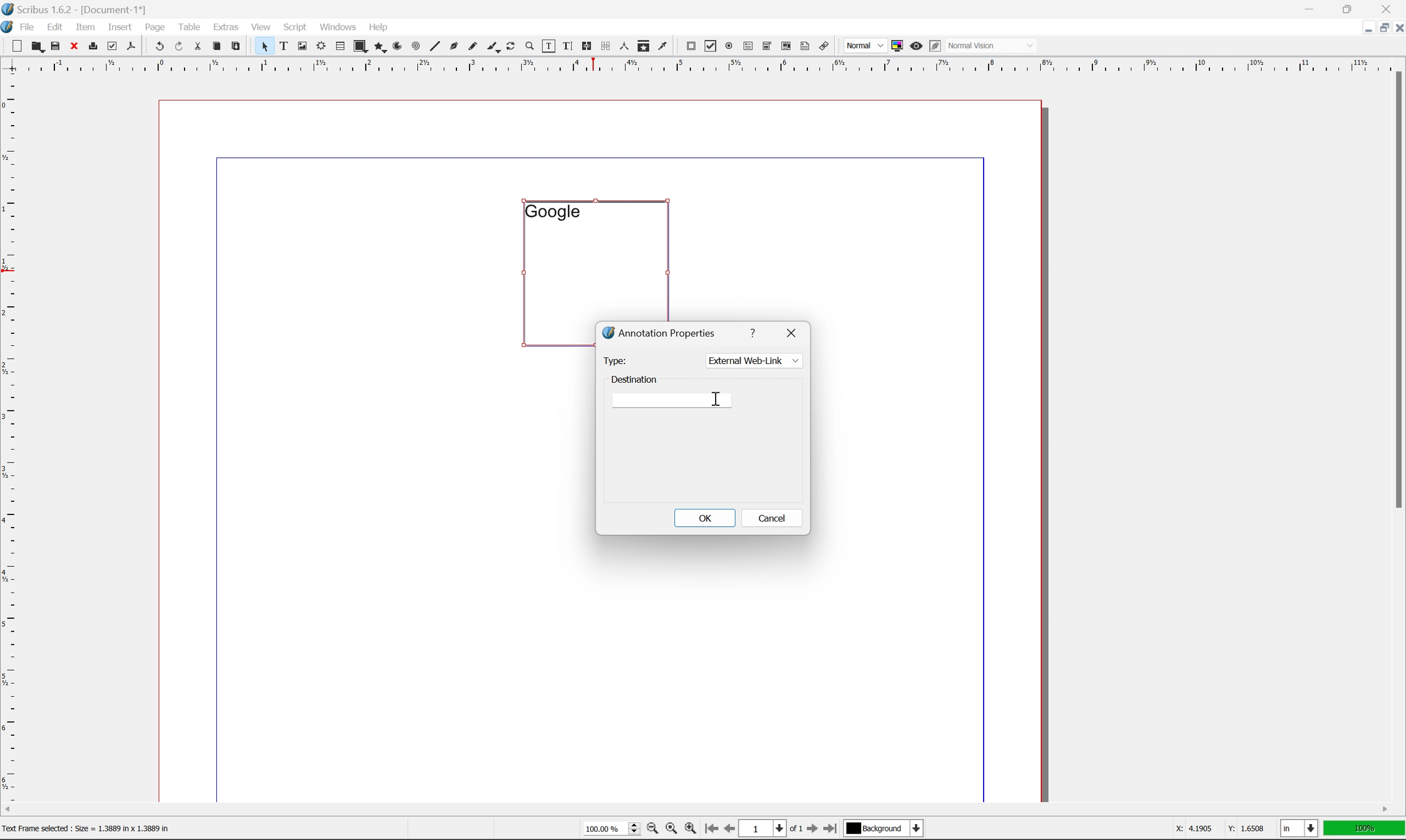 The image size is (1406, 840). What do you see at coordinates (1212, 829) in the screenshot?
I see `coordinates` at bounding box center [1212, 829].